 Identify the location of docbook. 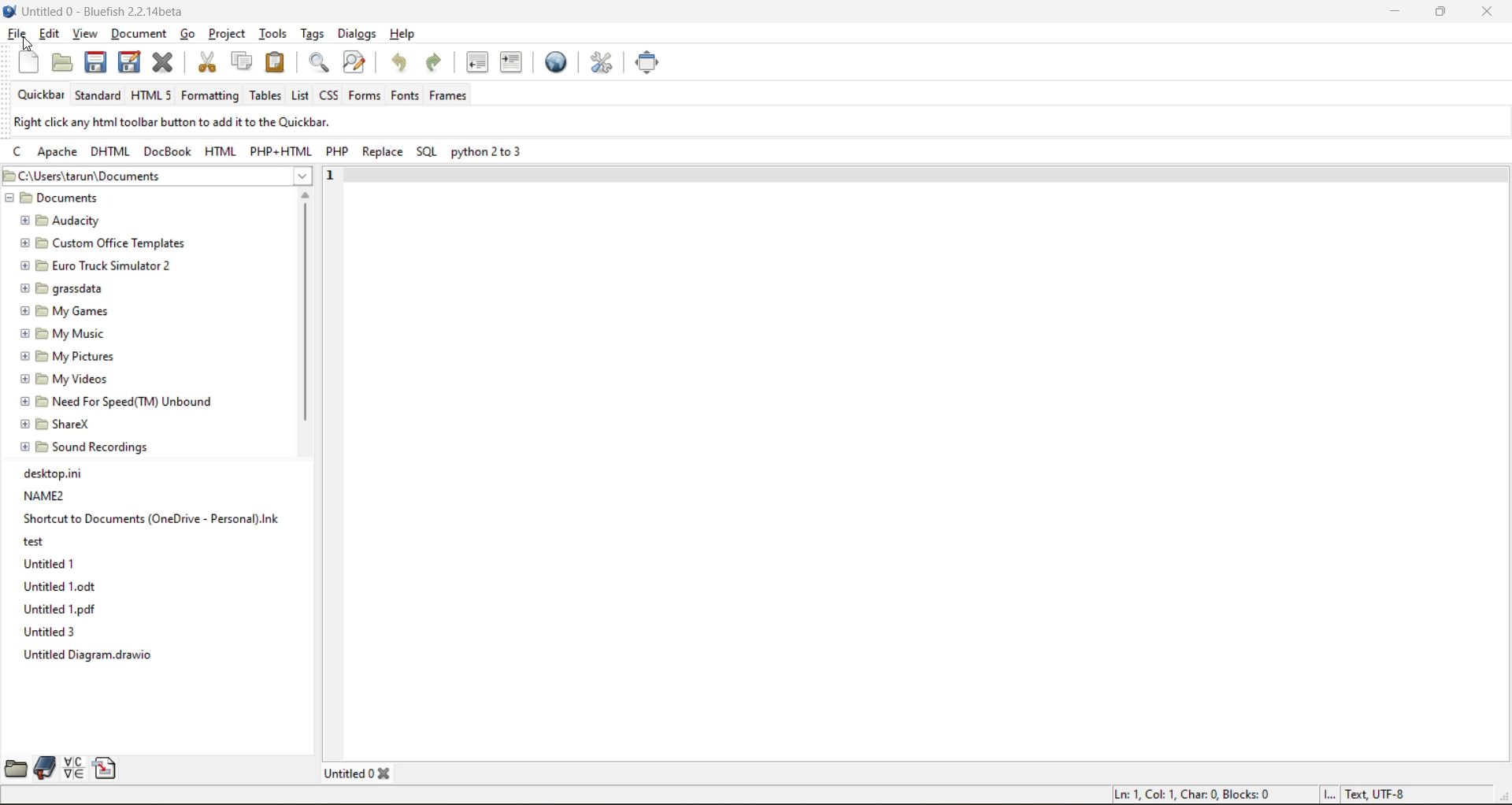
(169, 150).